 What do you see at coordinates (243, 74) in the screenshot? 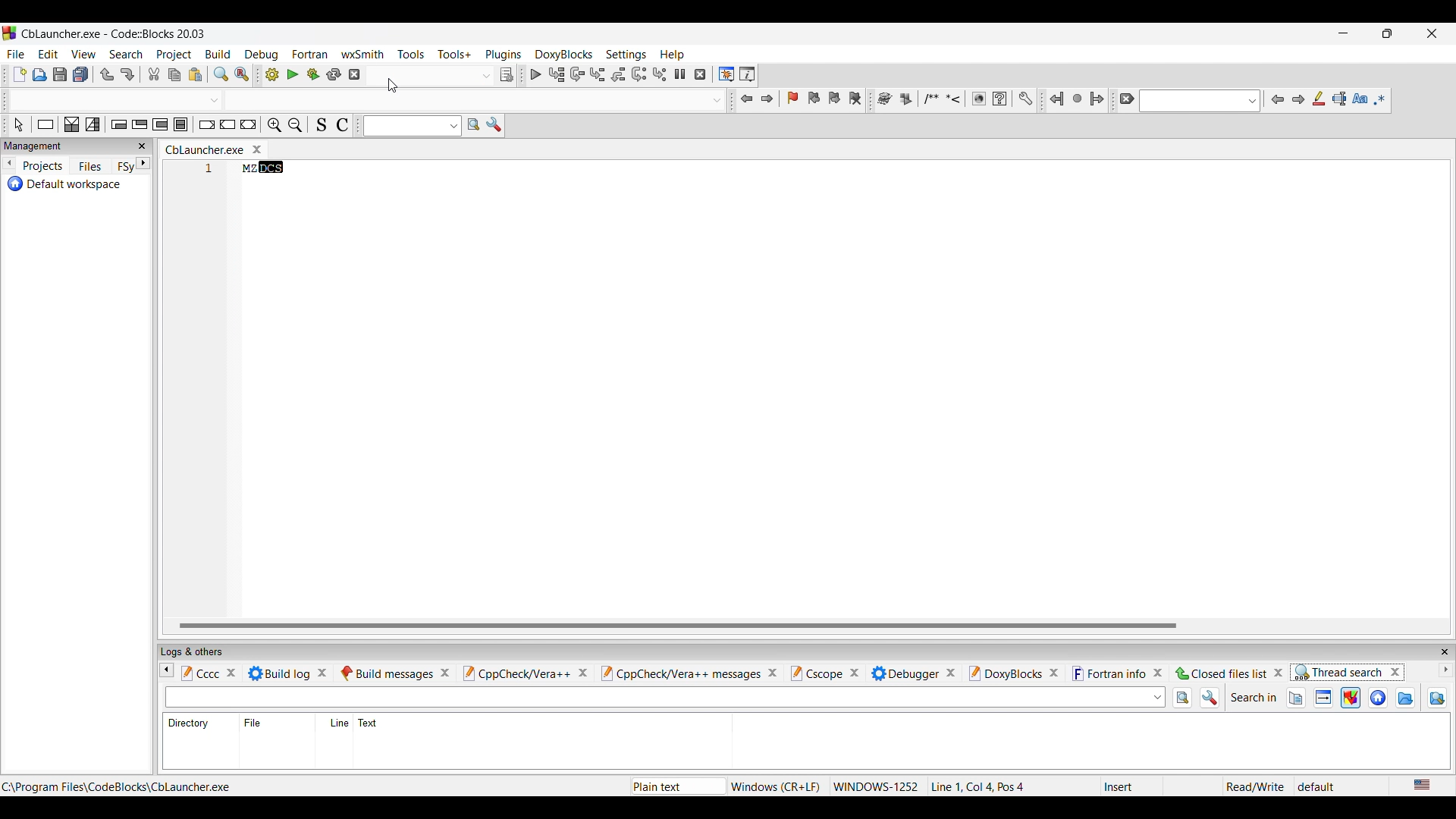
I see `Replace` at bounding box center [243, 74].